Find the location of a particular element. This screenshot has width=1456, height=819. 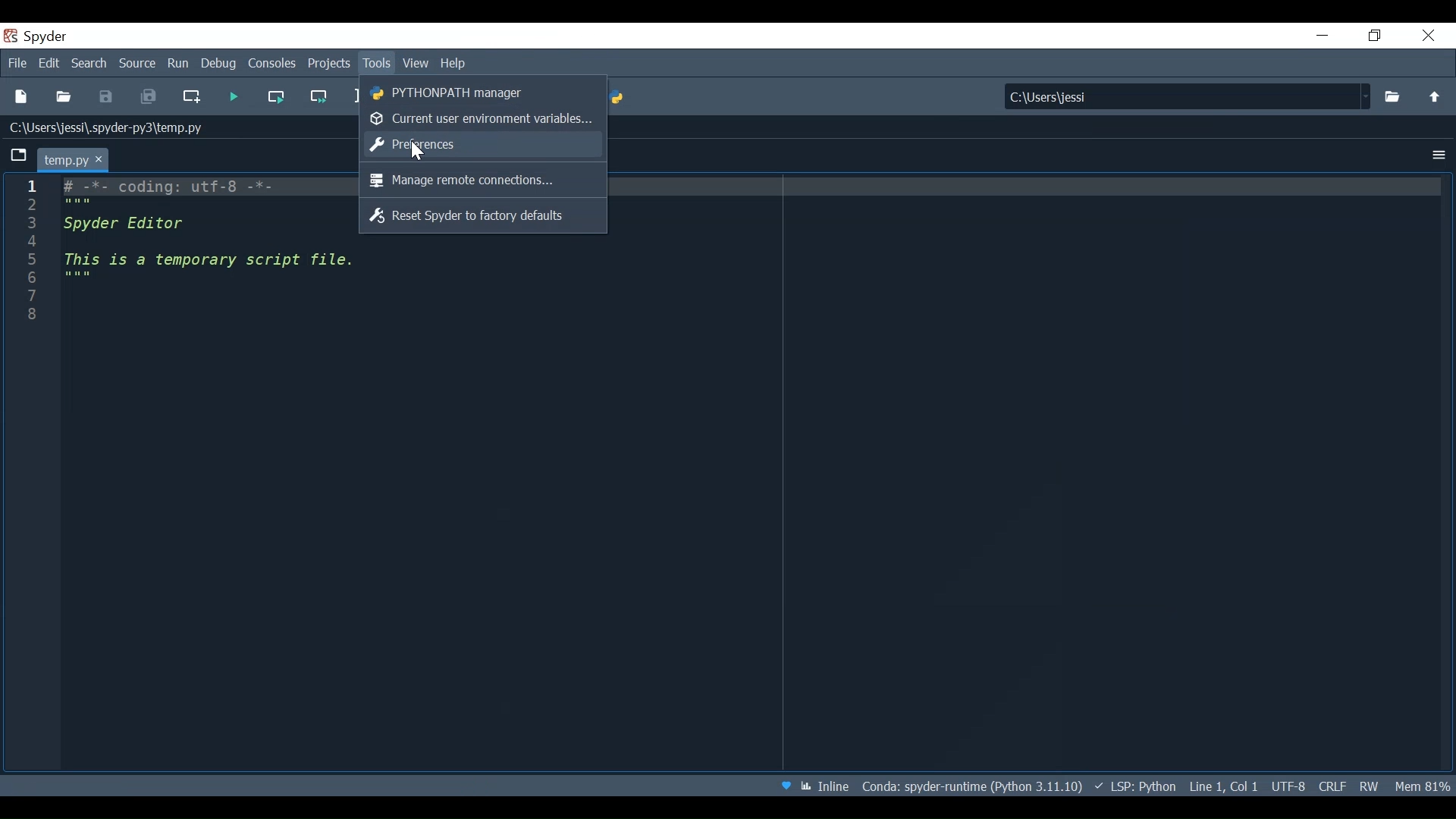

Move up is located at coordinates (1432, 96).